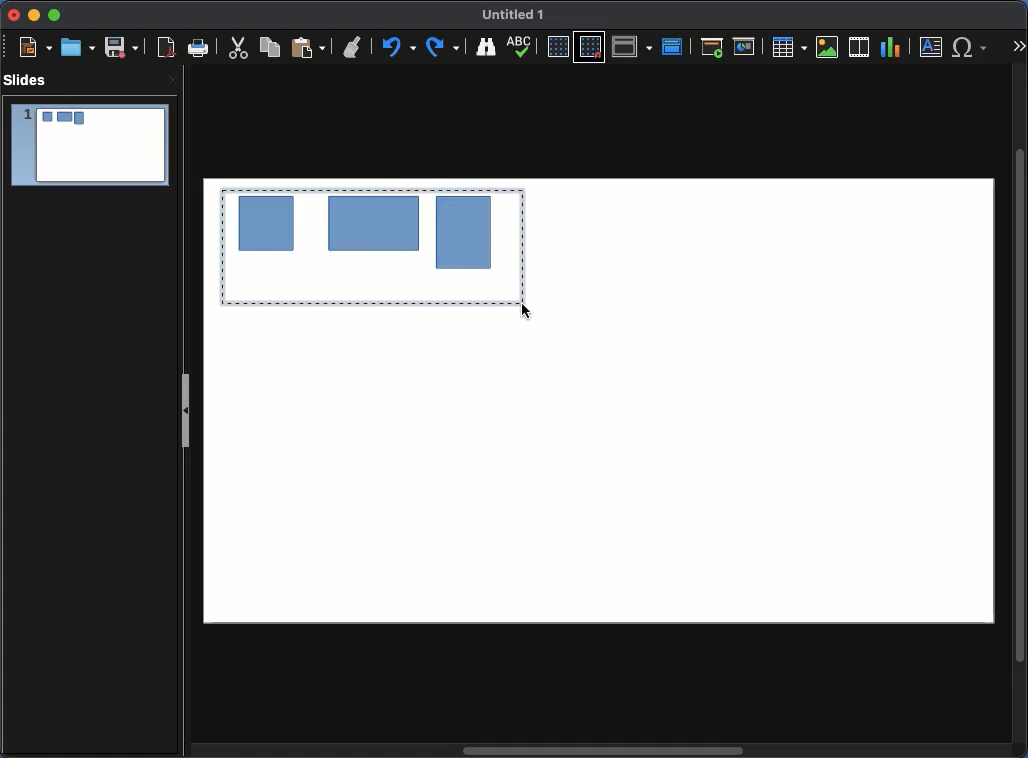  I want to click on New, so click(35, 47).